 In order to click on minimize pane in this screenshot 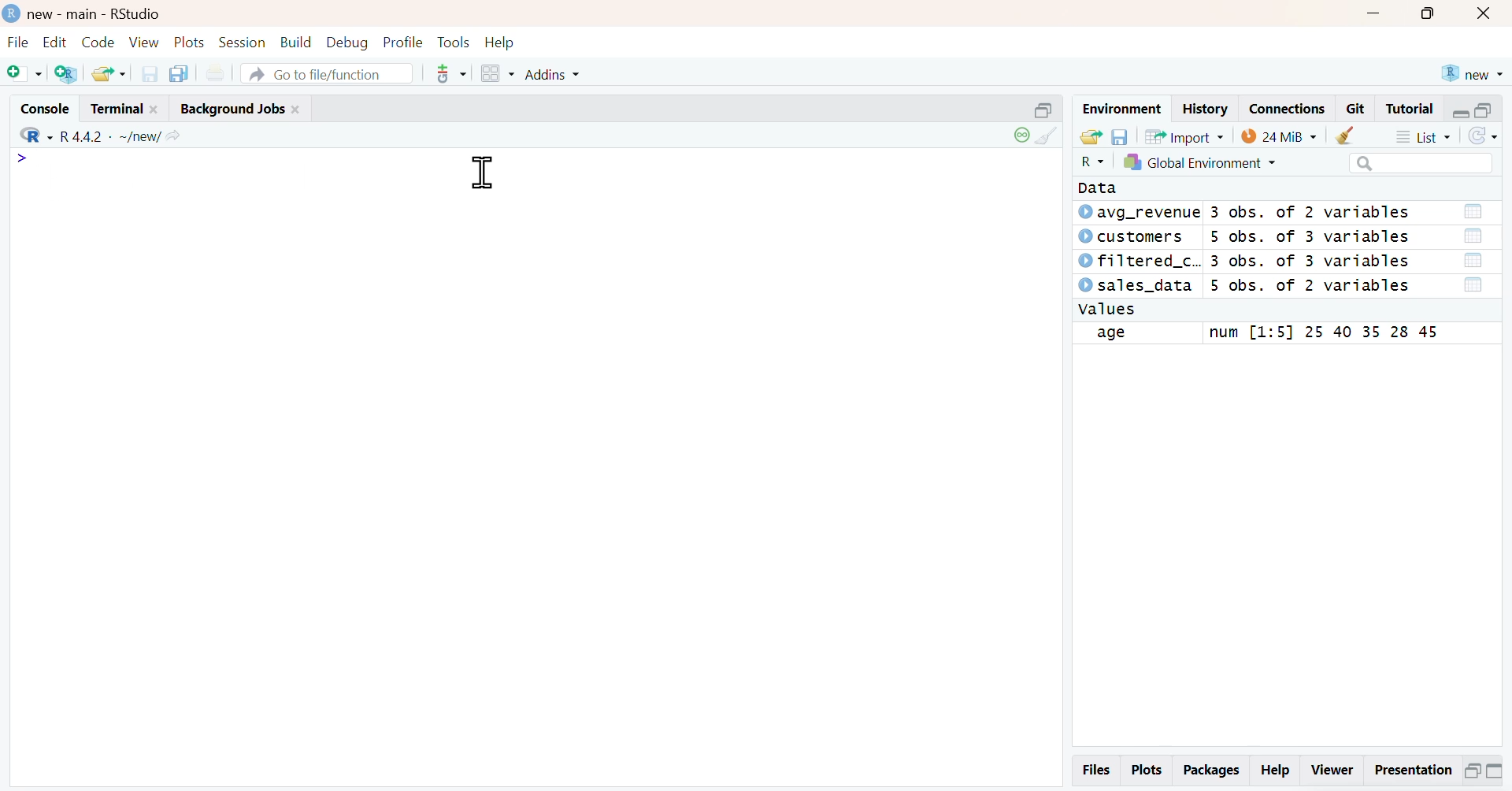, I will do `click(1462, 112)`.